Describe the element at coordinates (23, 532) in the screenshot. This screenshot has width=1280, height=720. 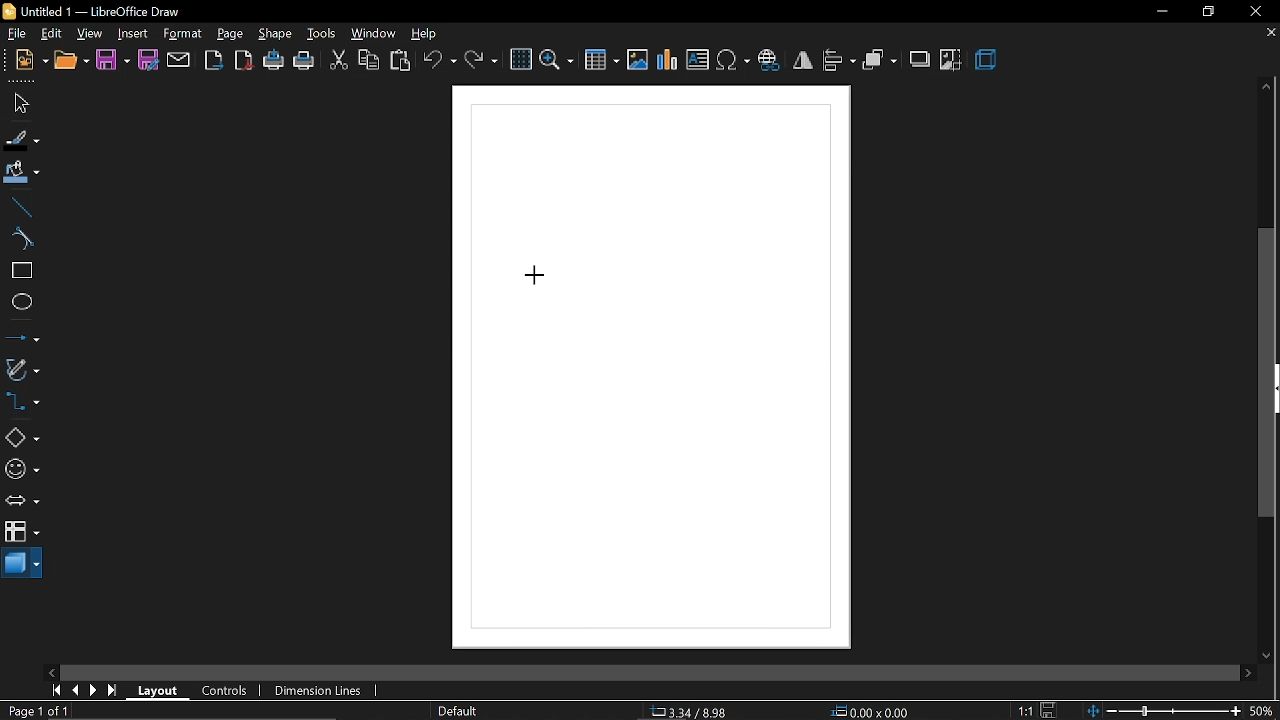
I see `flowchart` at that location.